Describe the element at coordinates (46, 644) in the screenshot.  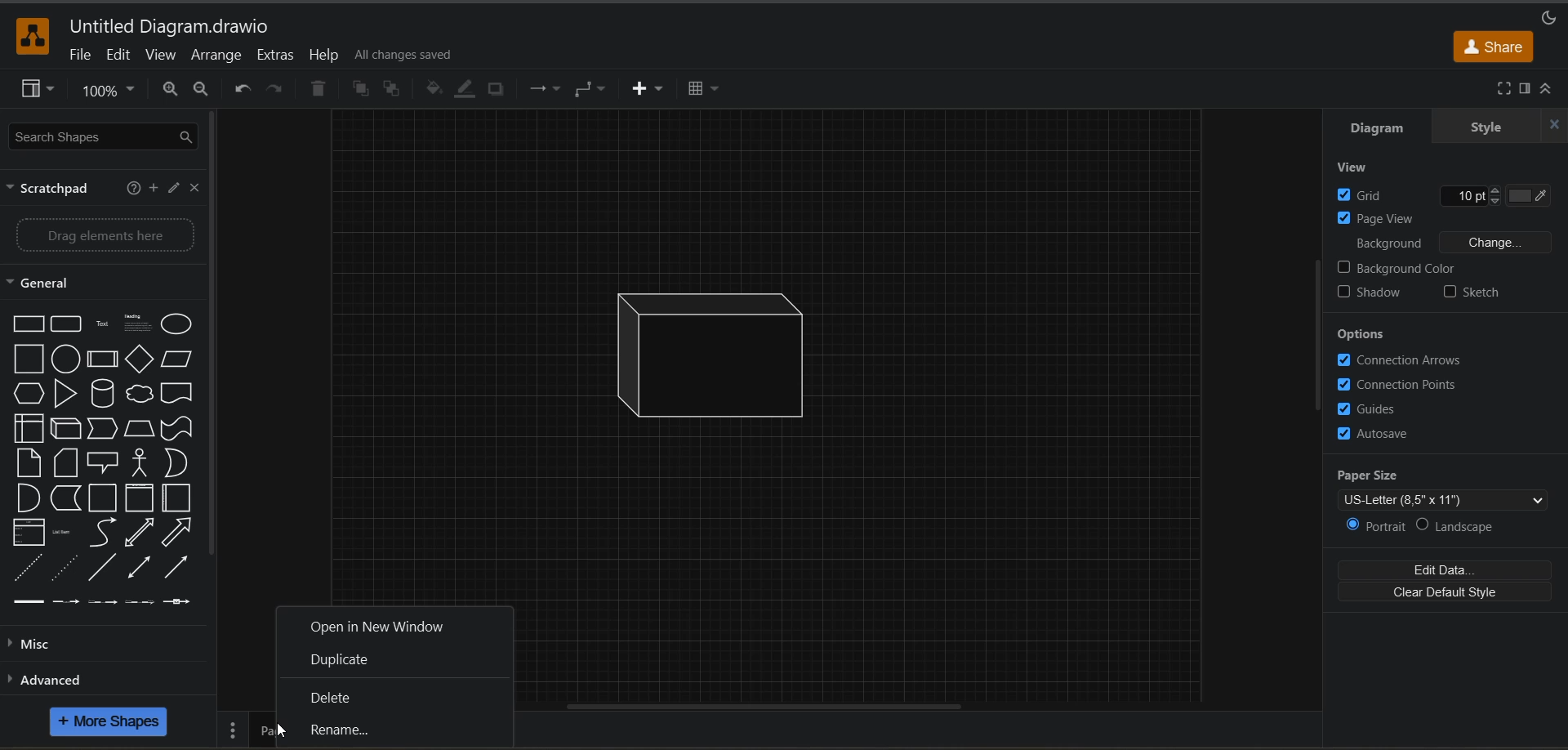
I see `misc` at that location.